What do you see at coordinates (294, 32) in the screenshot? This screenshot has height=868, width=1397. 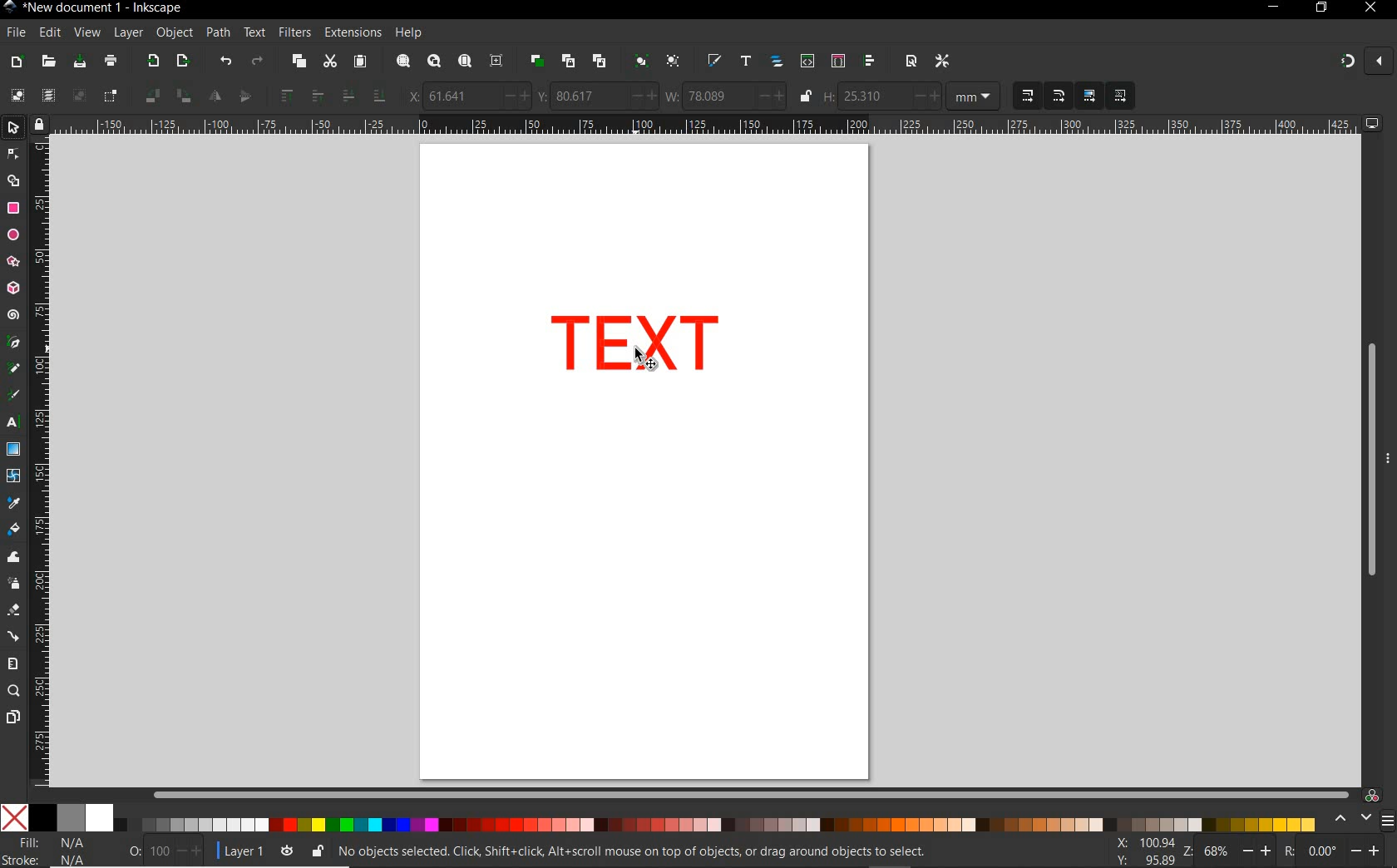 I see `filters` at bounding box center [294, 32].